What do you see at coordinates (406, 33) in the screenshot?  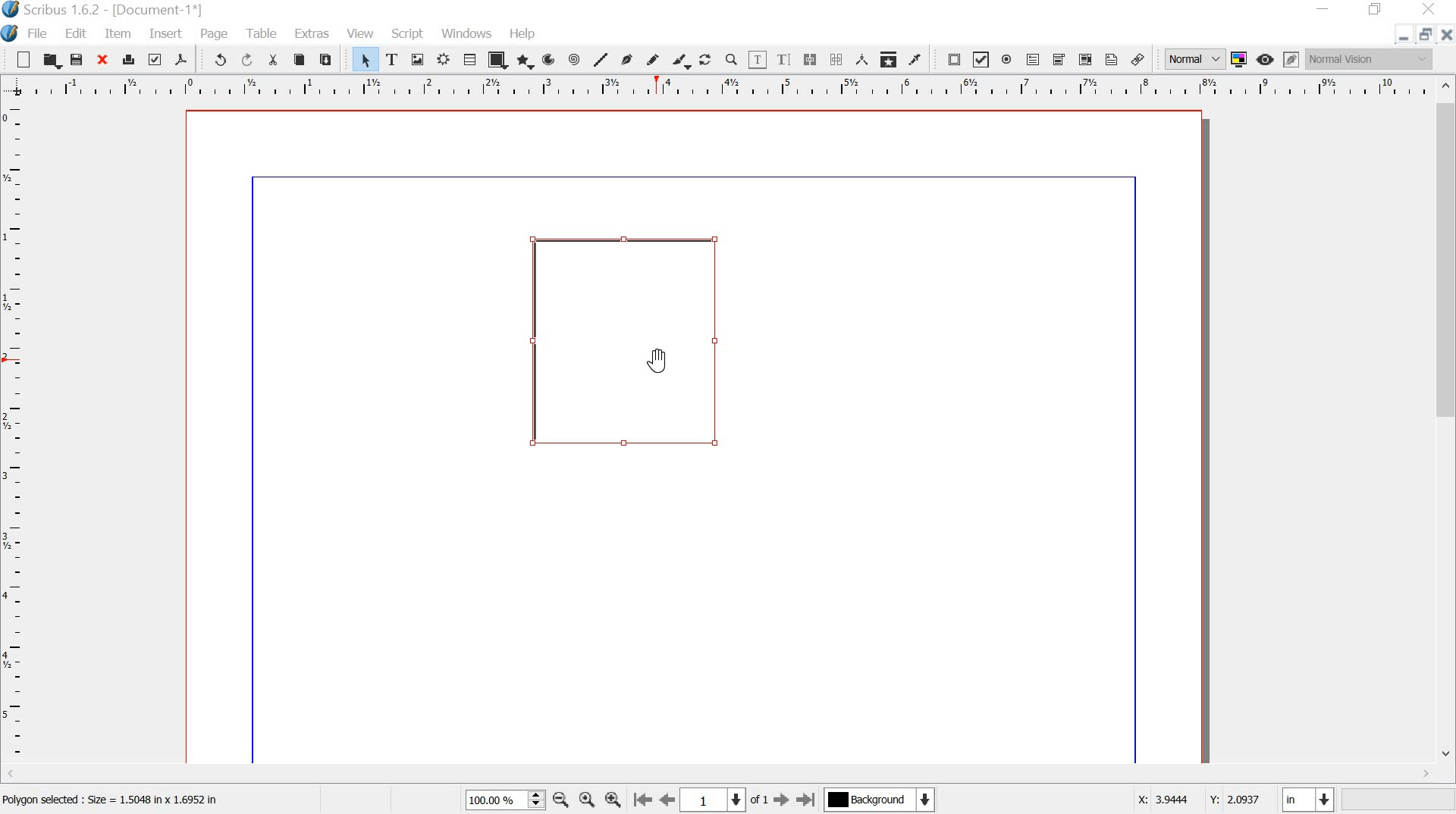 I see `script` at bounding box center [406, 33].